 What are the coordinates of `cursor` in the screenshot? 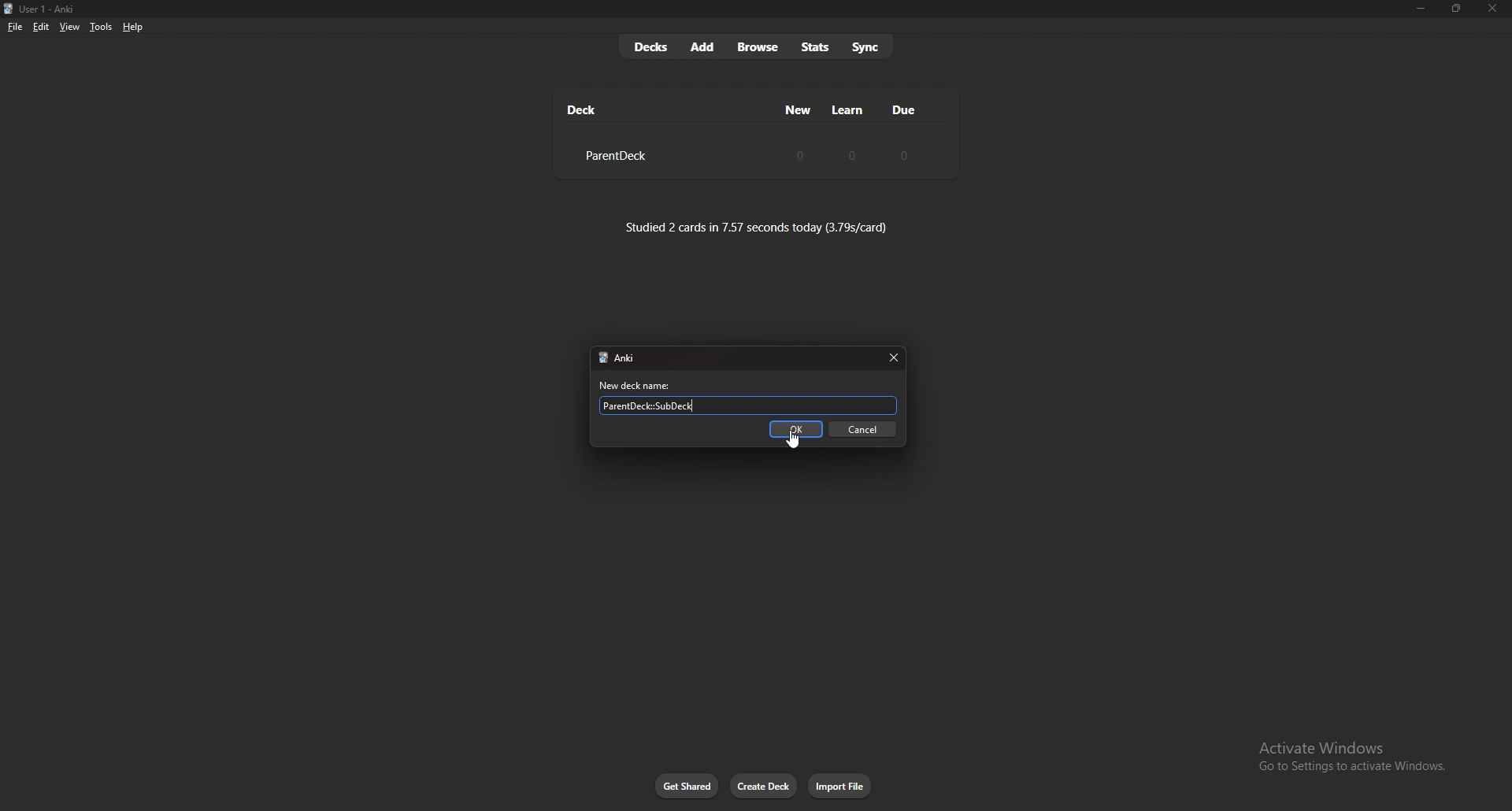 It's located at (793, 441).